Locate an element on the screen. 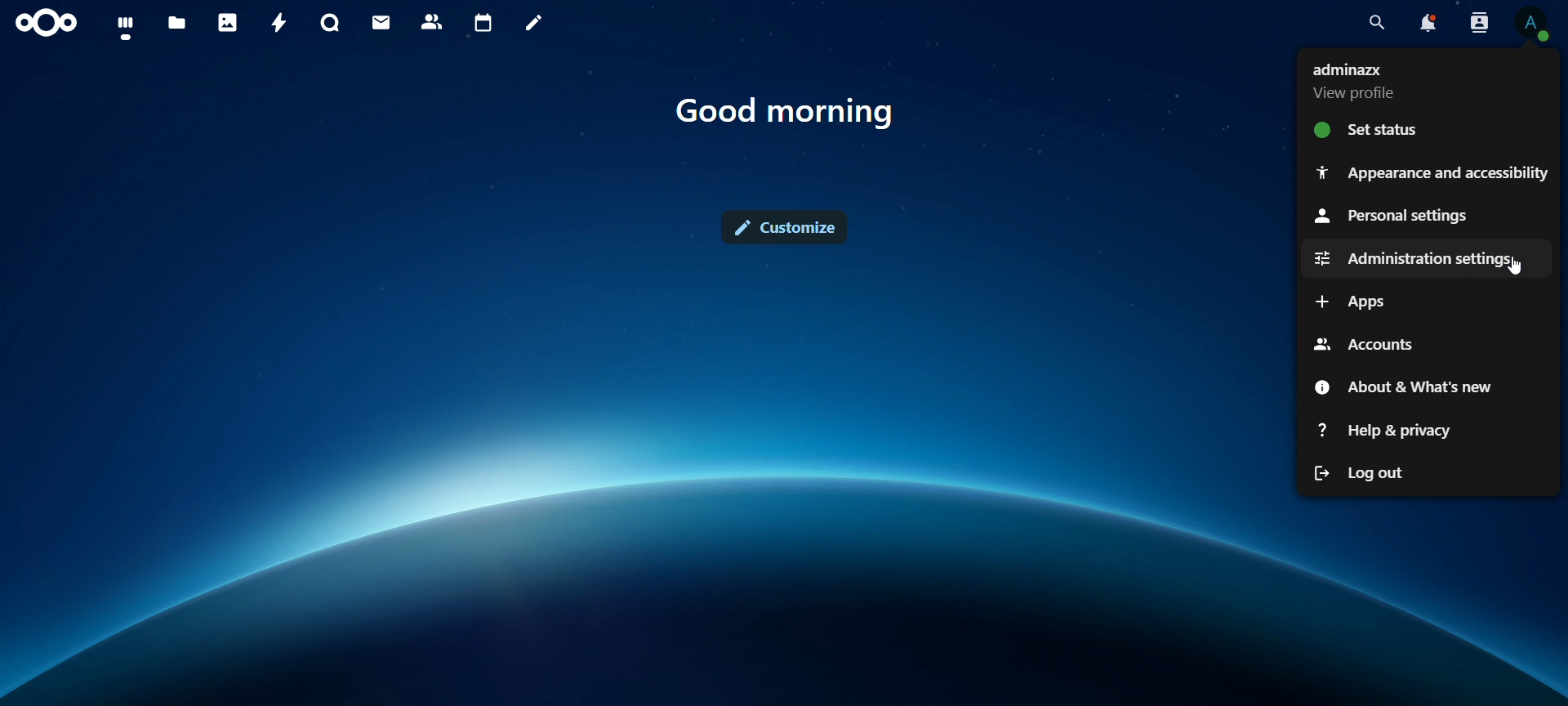  Good morning is located at coordinates (791, 111).